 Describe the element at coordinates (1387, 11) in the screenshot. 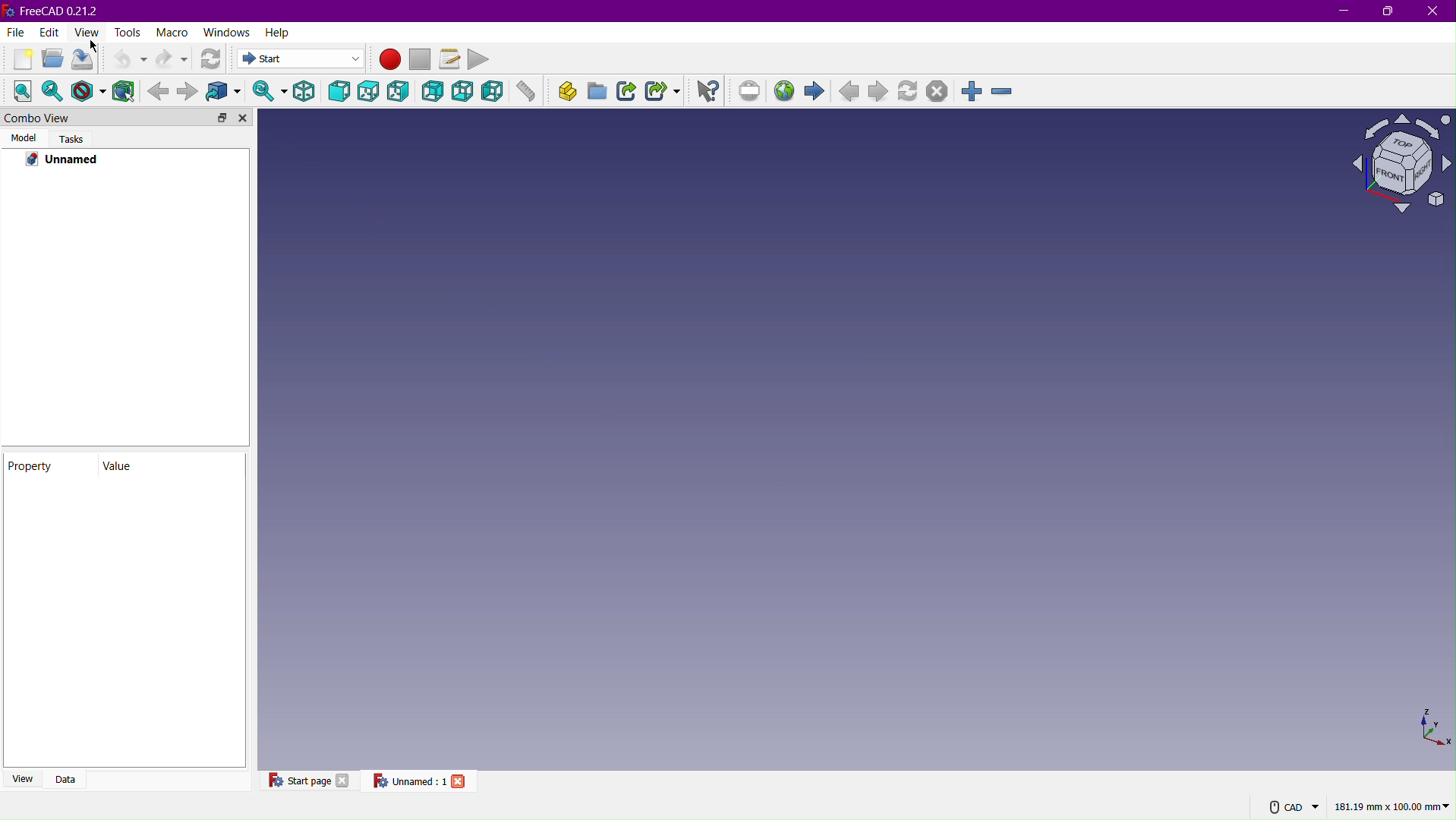

I see `Maximize` at that location.